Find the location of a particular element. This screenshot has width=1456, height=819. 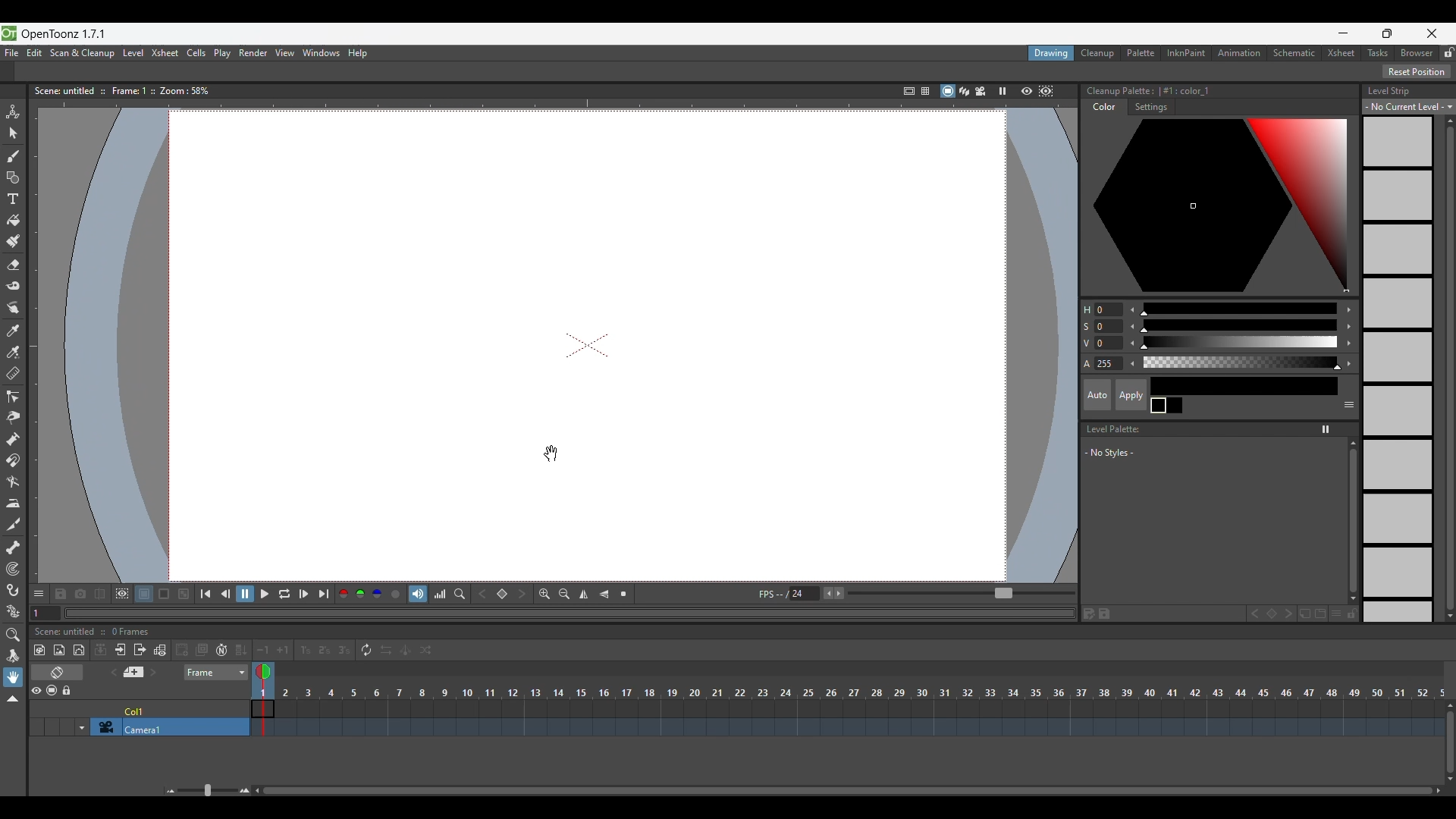

Horizontal slide bar is located at coordinates (846, 791).